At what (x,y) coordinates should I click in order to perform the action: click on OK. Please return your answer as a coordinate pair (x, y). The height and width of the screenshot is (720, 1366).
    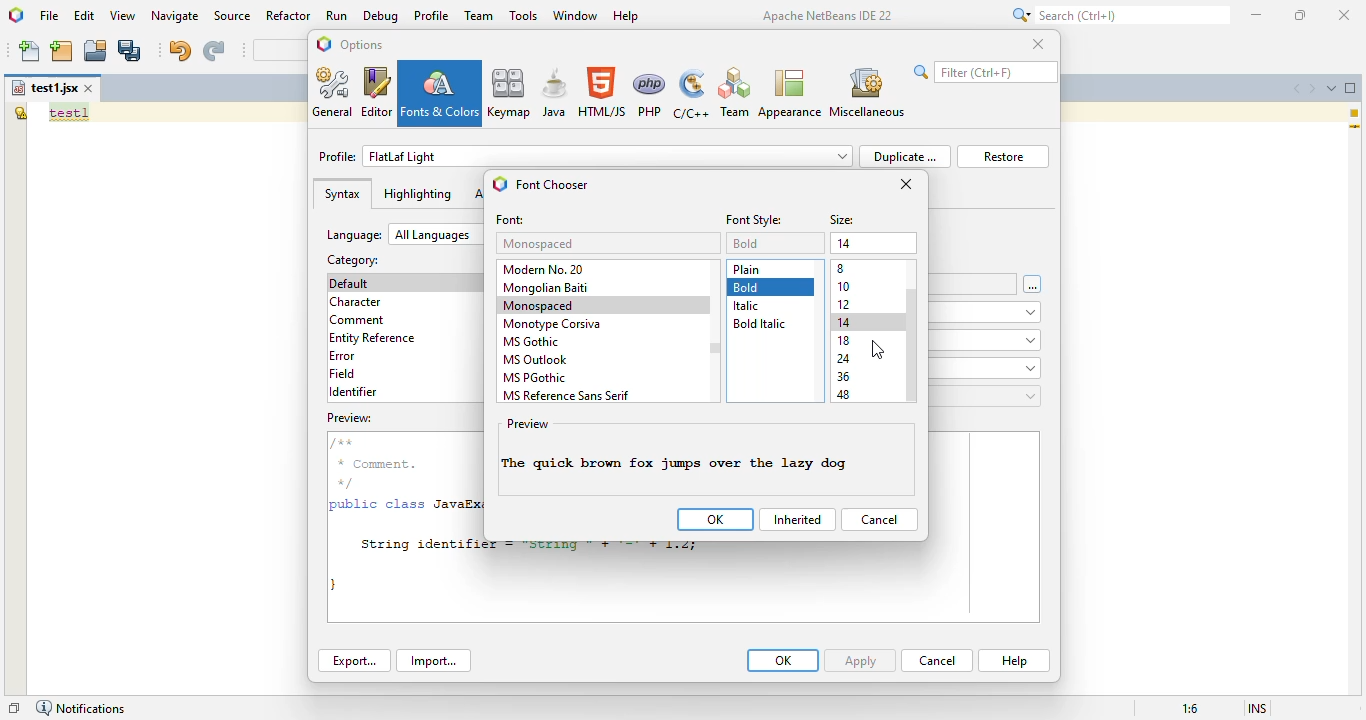
    Looking at the image, I should click on (715, 519).